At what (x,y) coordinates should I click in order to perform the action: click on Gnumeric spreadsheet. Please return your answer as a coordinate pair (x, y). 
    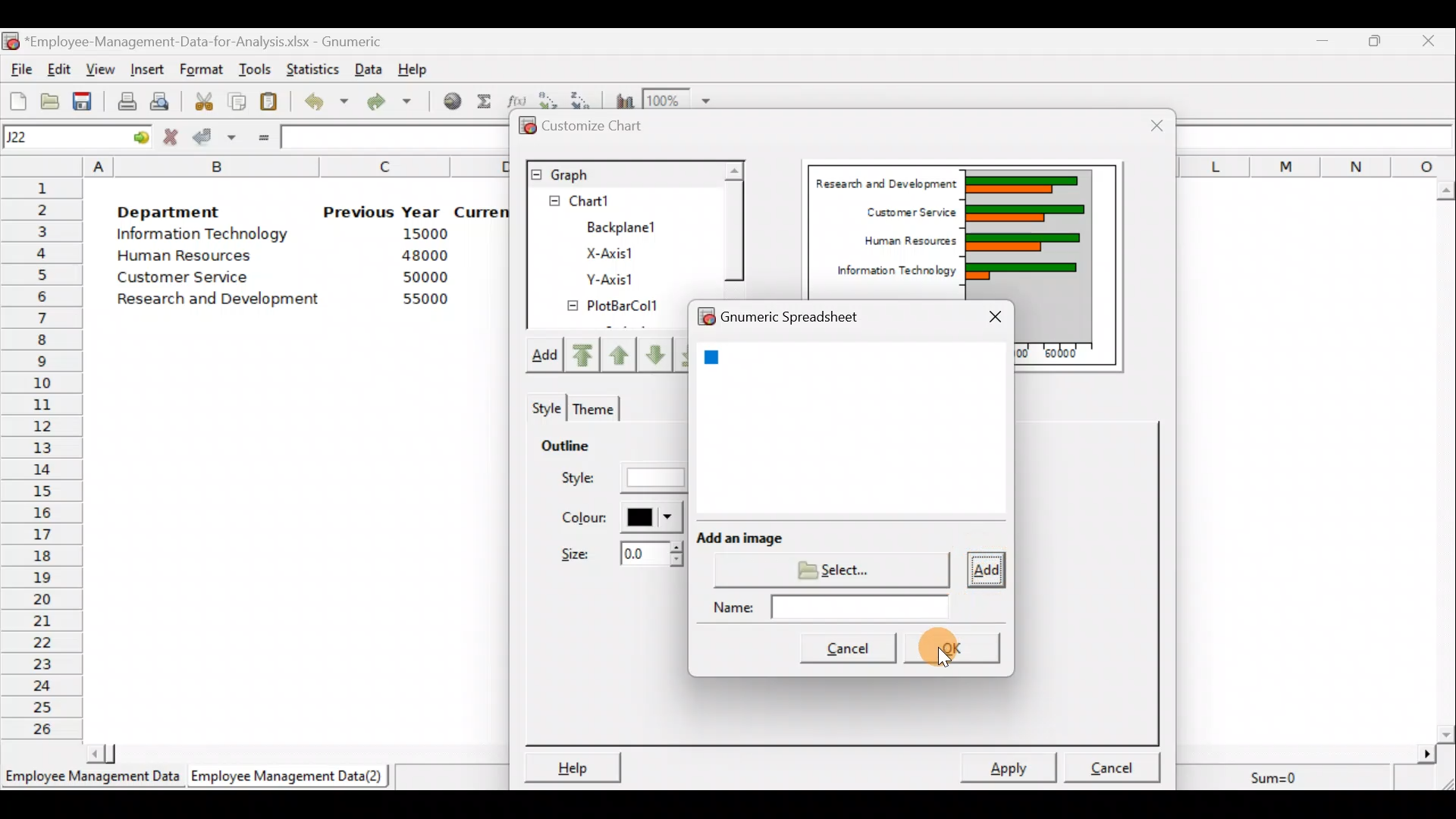
    Looking at the image, I should click on (809, 313).